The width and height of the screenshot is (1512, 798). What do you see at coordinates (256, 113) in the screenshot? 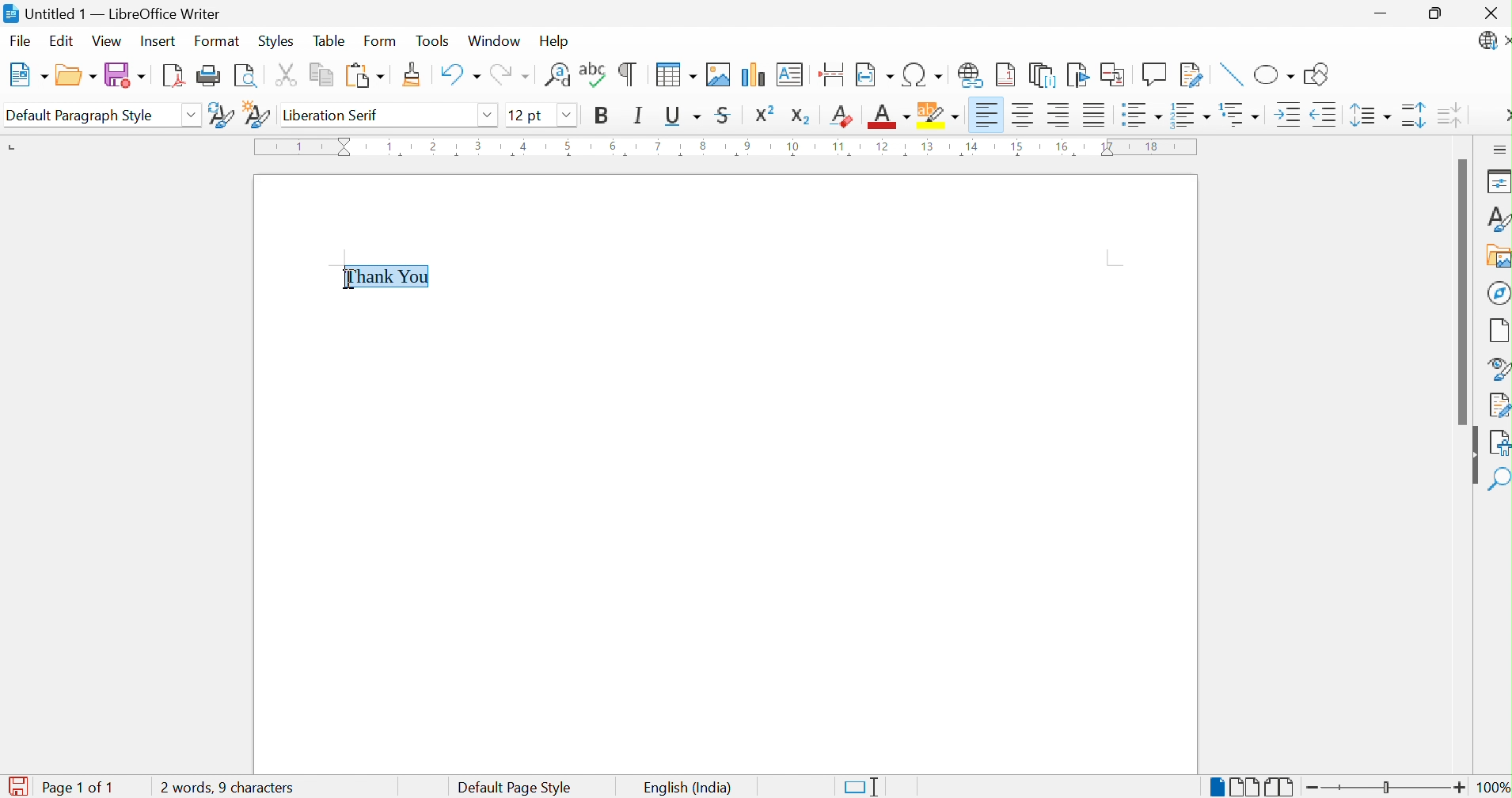
I see `New Style from Selection` at bounding box center [256, 113].